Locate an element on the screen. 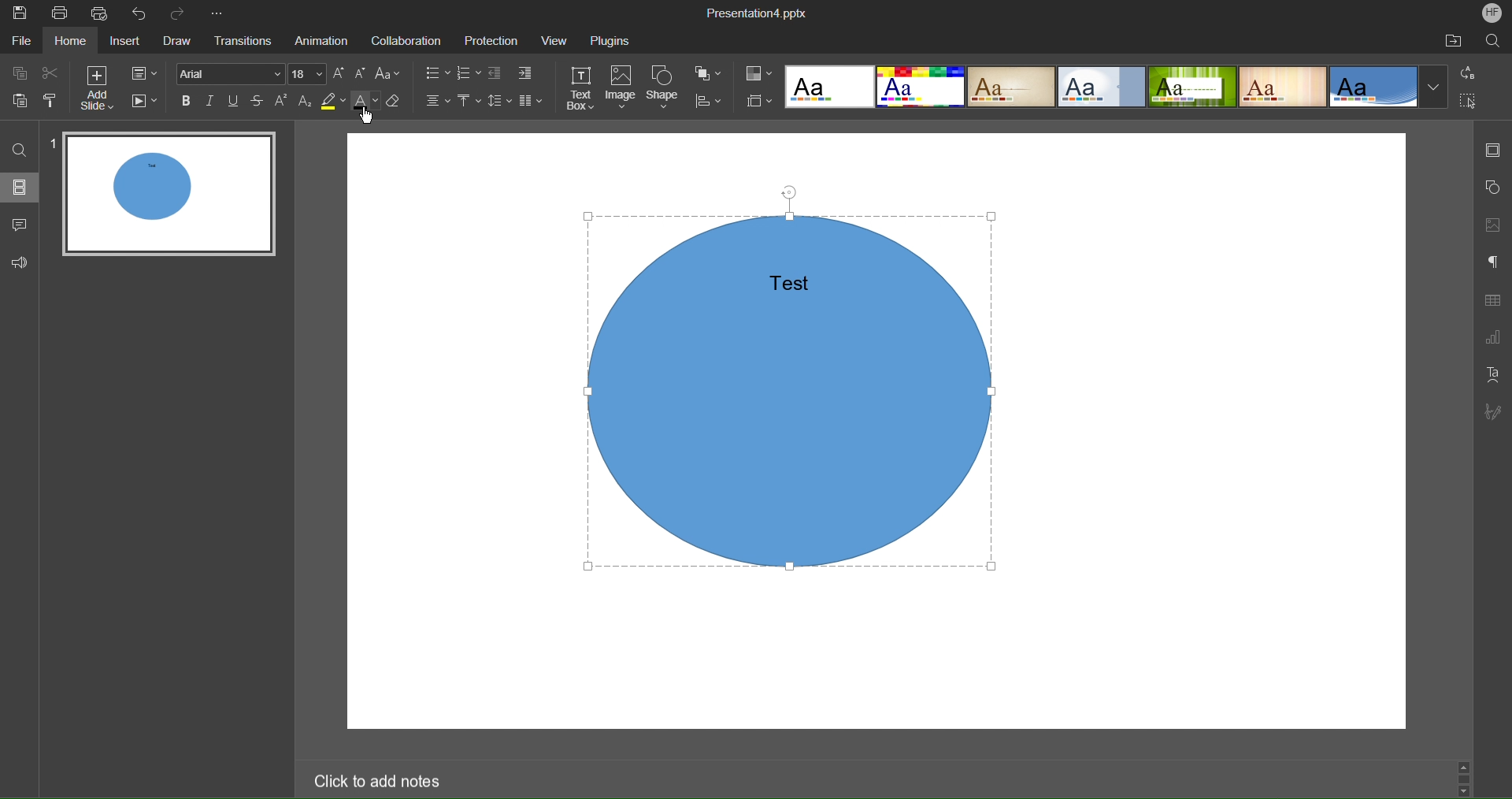  Image is located at coordinates (624, 90).